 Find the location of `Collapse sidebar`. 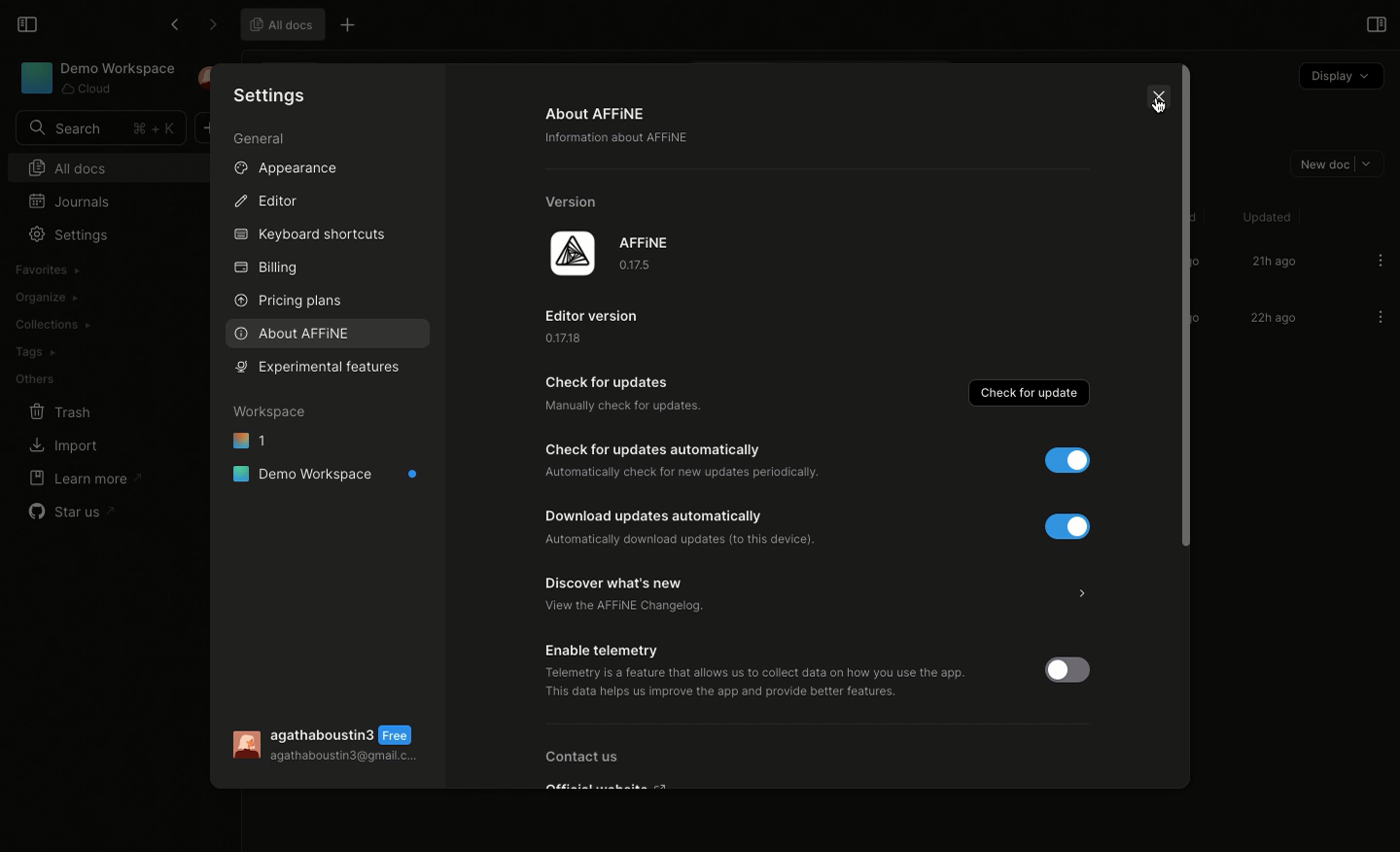

Collapse sidebar is located at coordinates (25, 22).